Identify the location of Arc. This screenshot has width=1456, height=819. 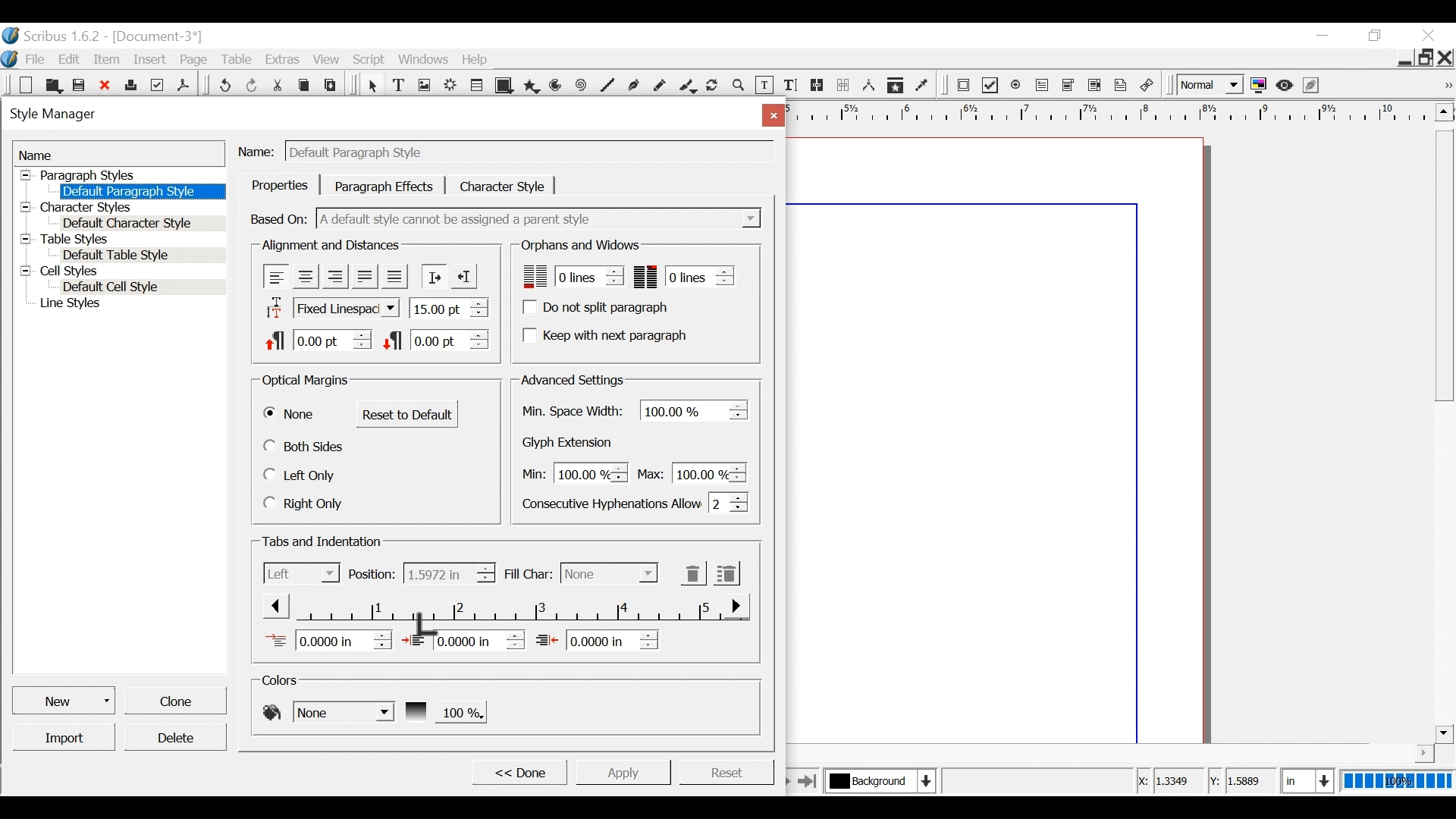
(557, 86).